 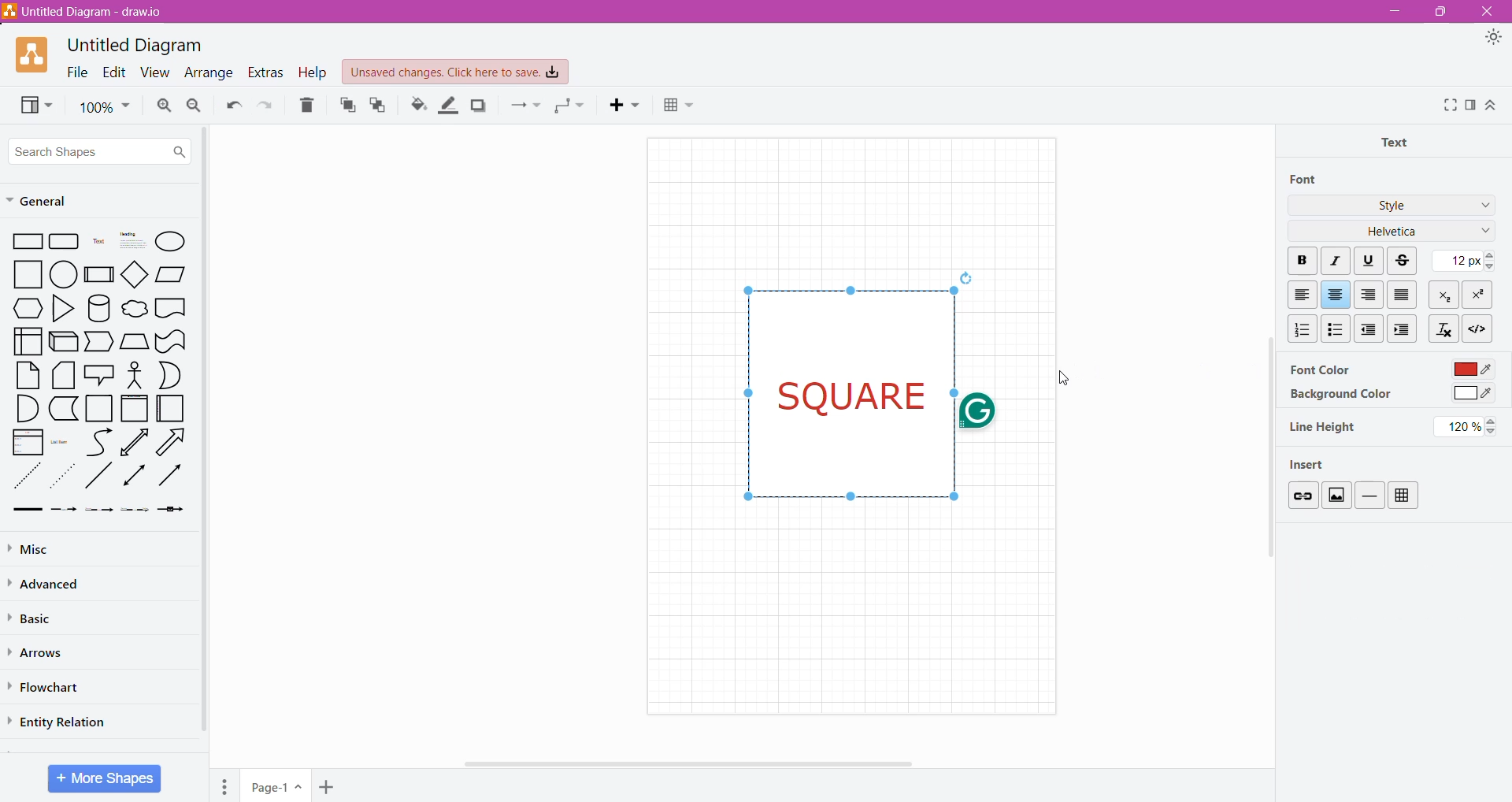 What do you see at coordinates (66, 240) in the screenshot?
I see `Rectangle grid` at bounding box center [66, 240].